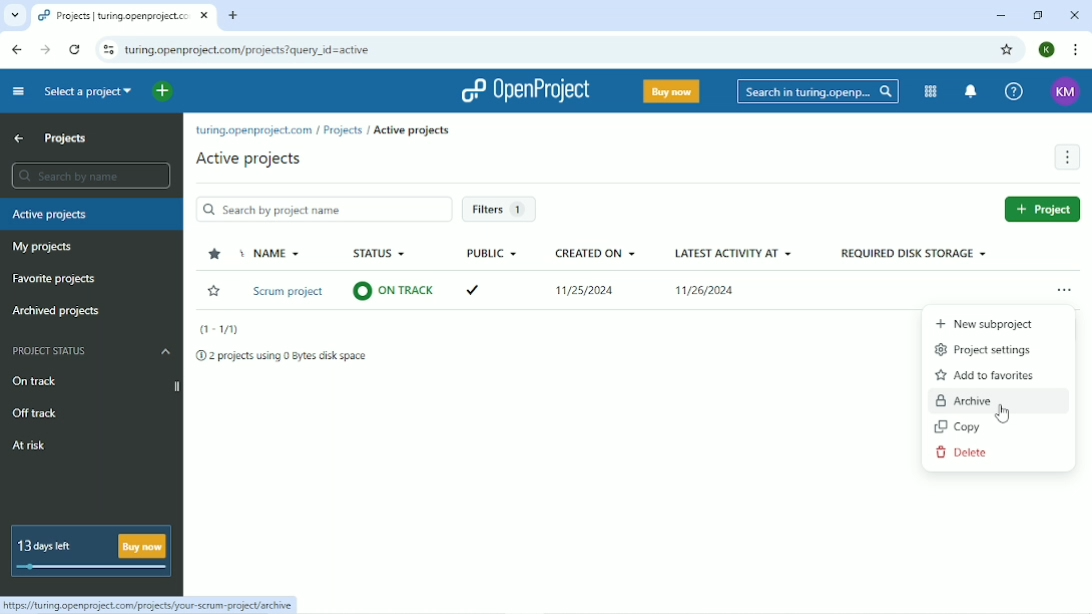 The height and width of the screenshot is (614, 1092). What do you see at coordinates (249, 159) in the screenshot?
I see `Active projects` at bounding box center [249, 159].